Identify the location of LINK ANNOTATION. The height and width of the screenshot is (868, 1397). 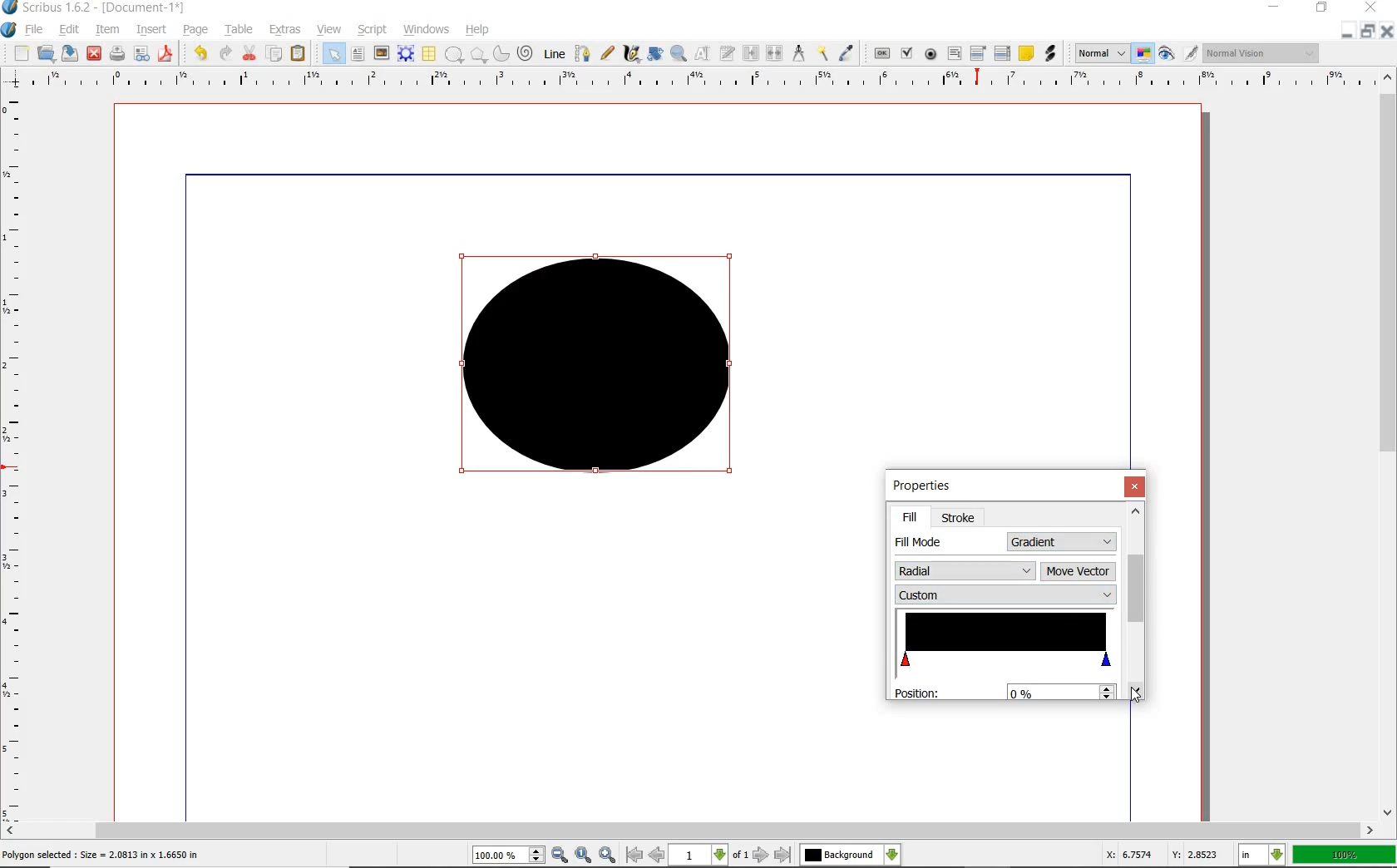
(1051, 54).